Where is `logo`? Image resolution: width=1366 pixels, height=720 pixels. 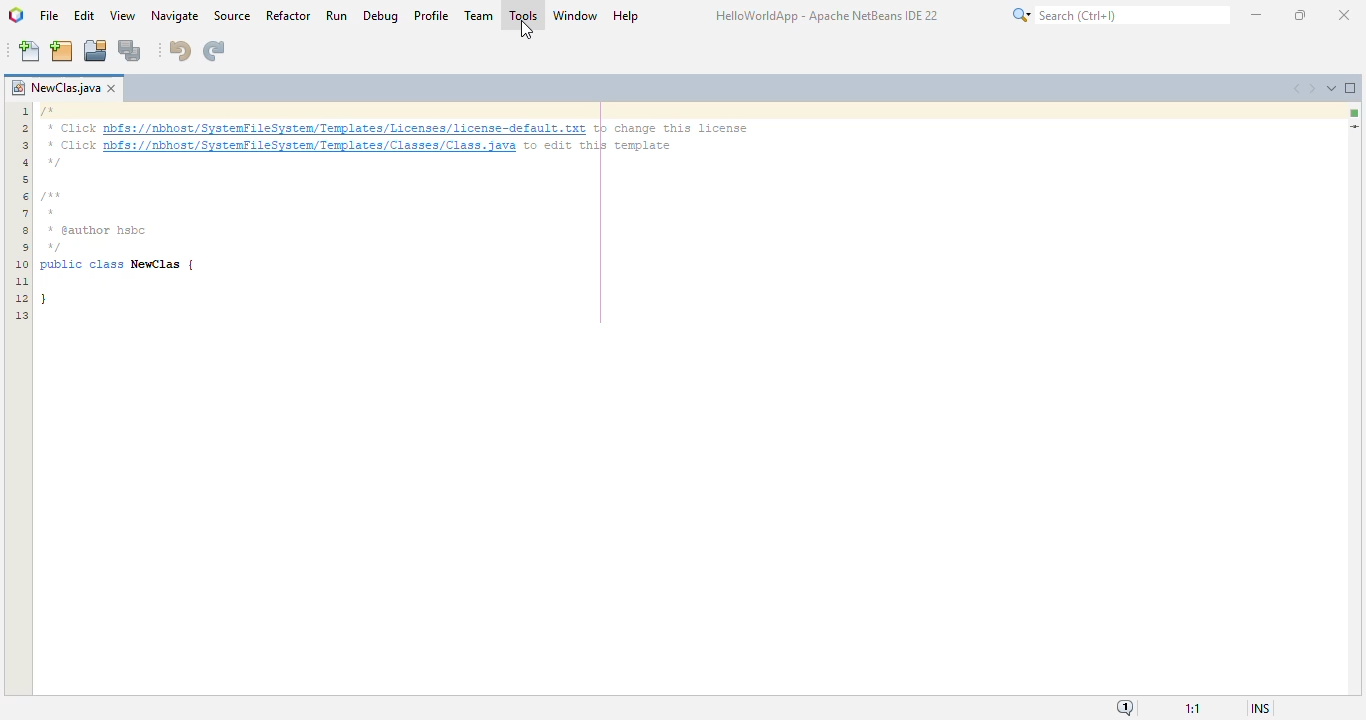
logo is located at coordinates (16, 15).